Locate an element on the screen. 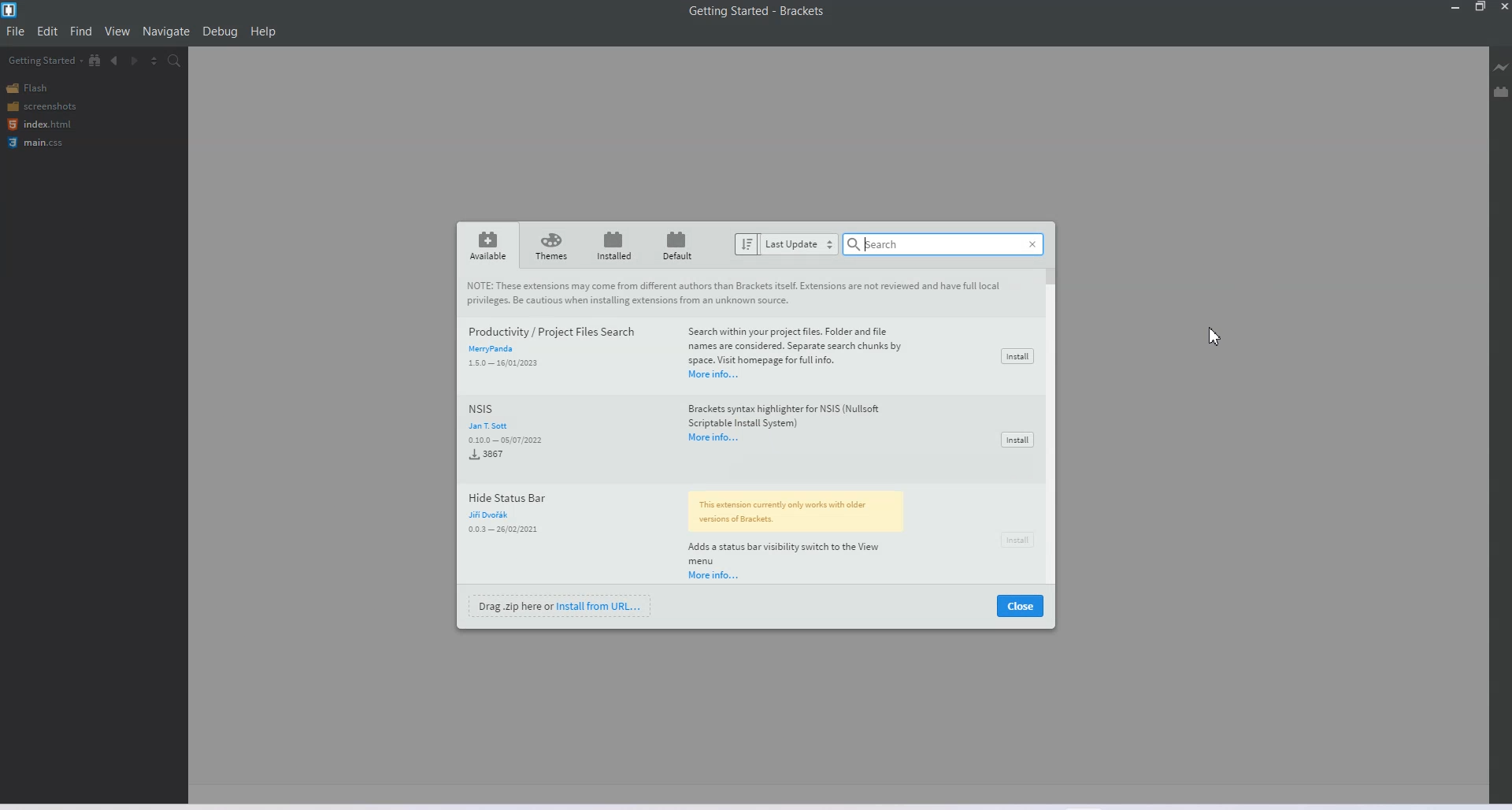 Image resolution: width=1512 pixels, height=810 pixels. default is located at coordinates (674, 245).